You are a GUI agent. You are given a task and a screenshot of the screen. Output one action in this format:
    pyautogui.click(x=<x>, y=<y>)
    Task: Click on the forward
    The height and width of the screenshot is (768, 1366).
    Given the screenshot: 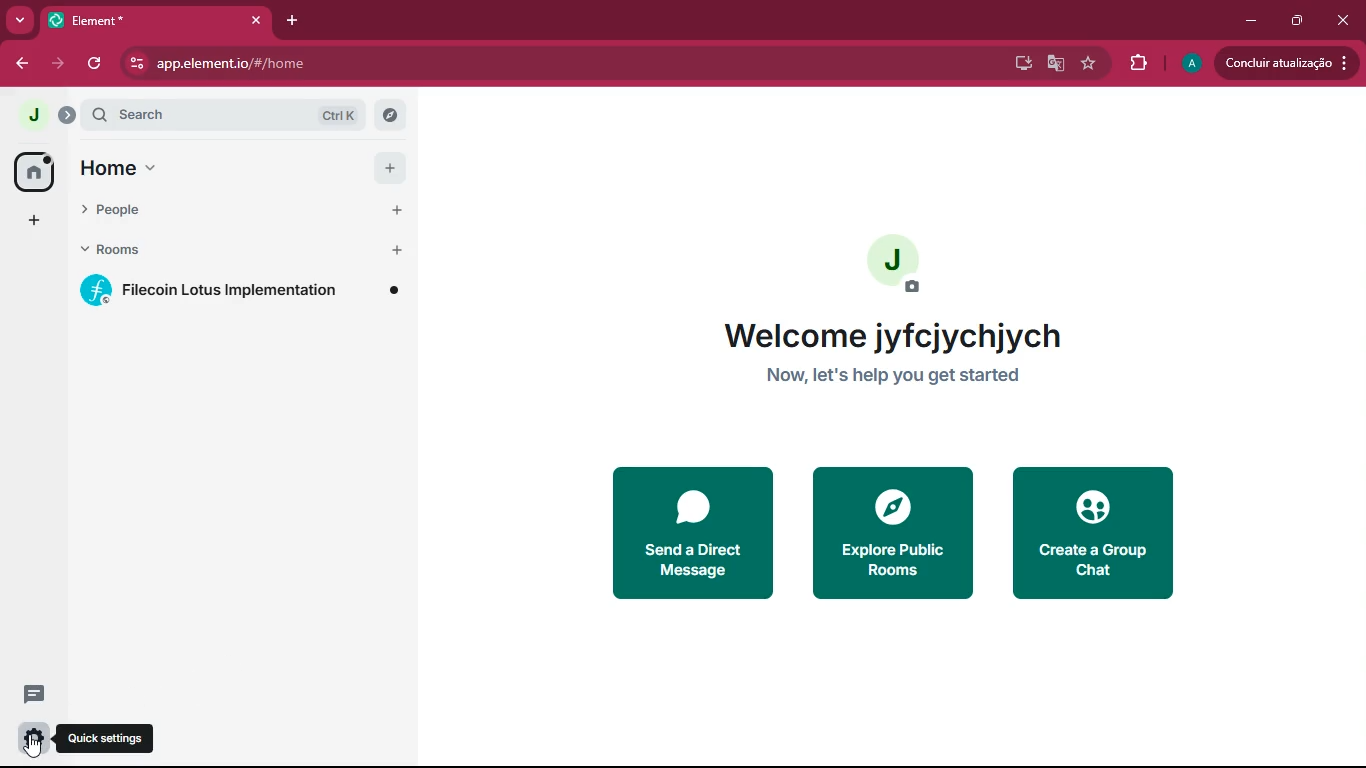 What is the action you would take?
    pyautogui.click(x=58, y=67)
    